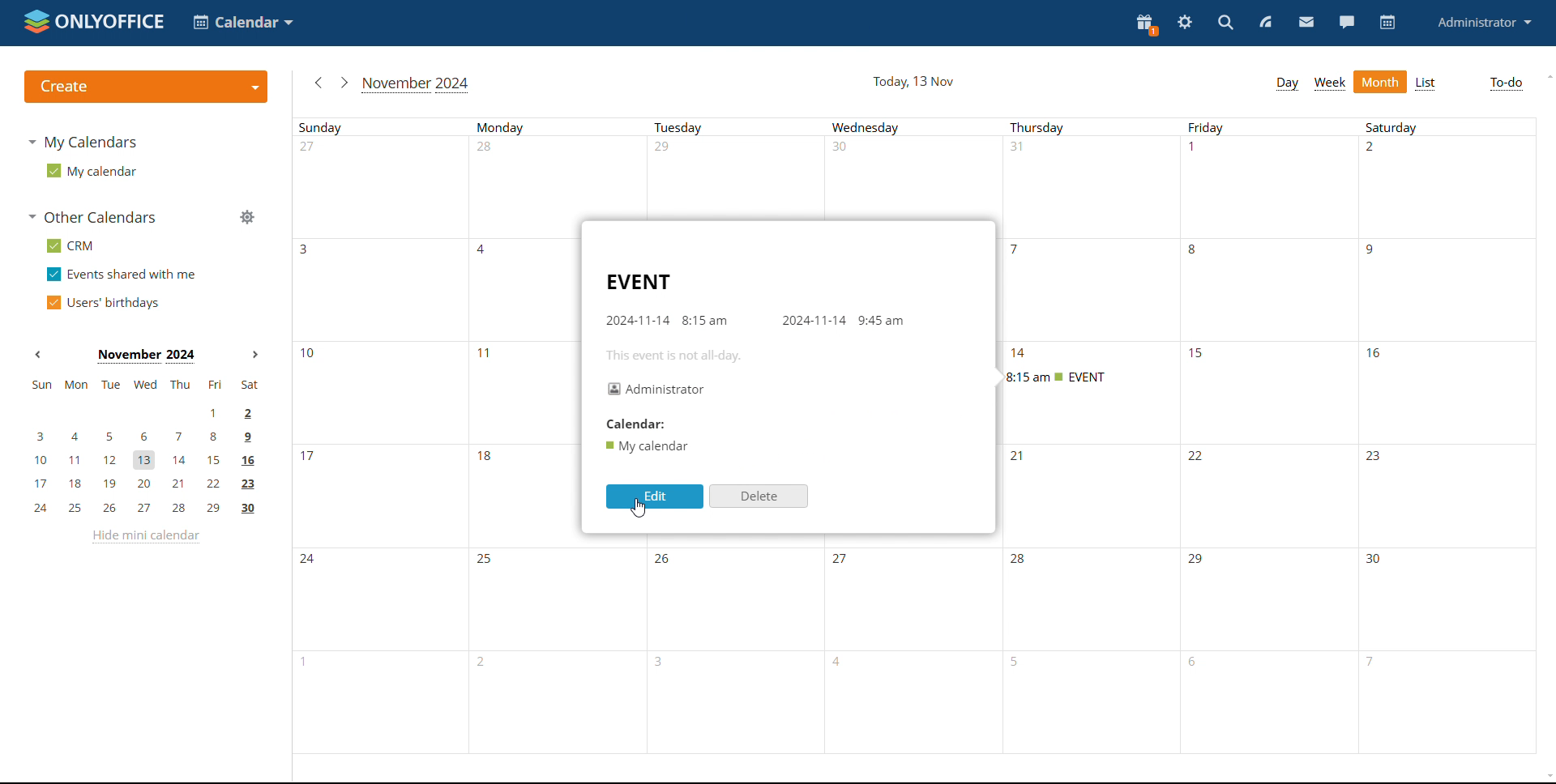  What do you see at coordinates (646, 424) in the screenshot?
I see `Calendar:` at bounding box center [646, 424].